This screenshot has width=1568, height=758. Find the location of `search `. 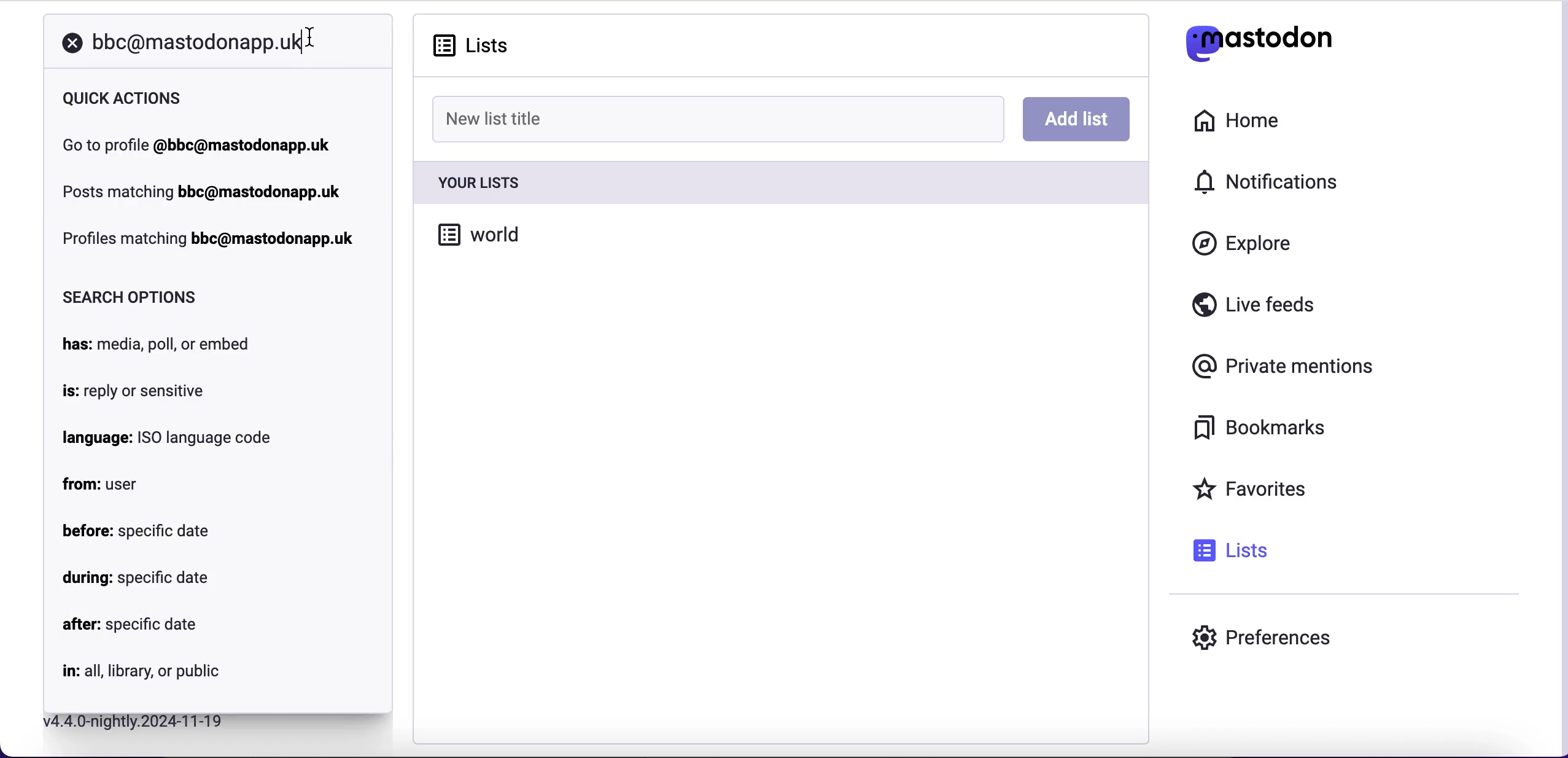

search  is located at coordinates (181, 44).